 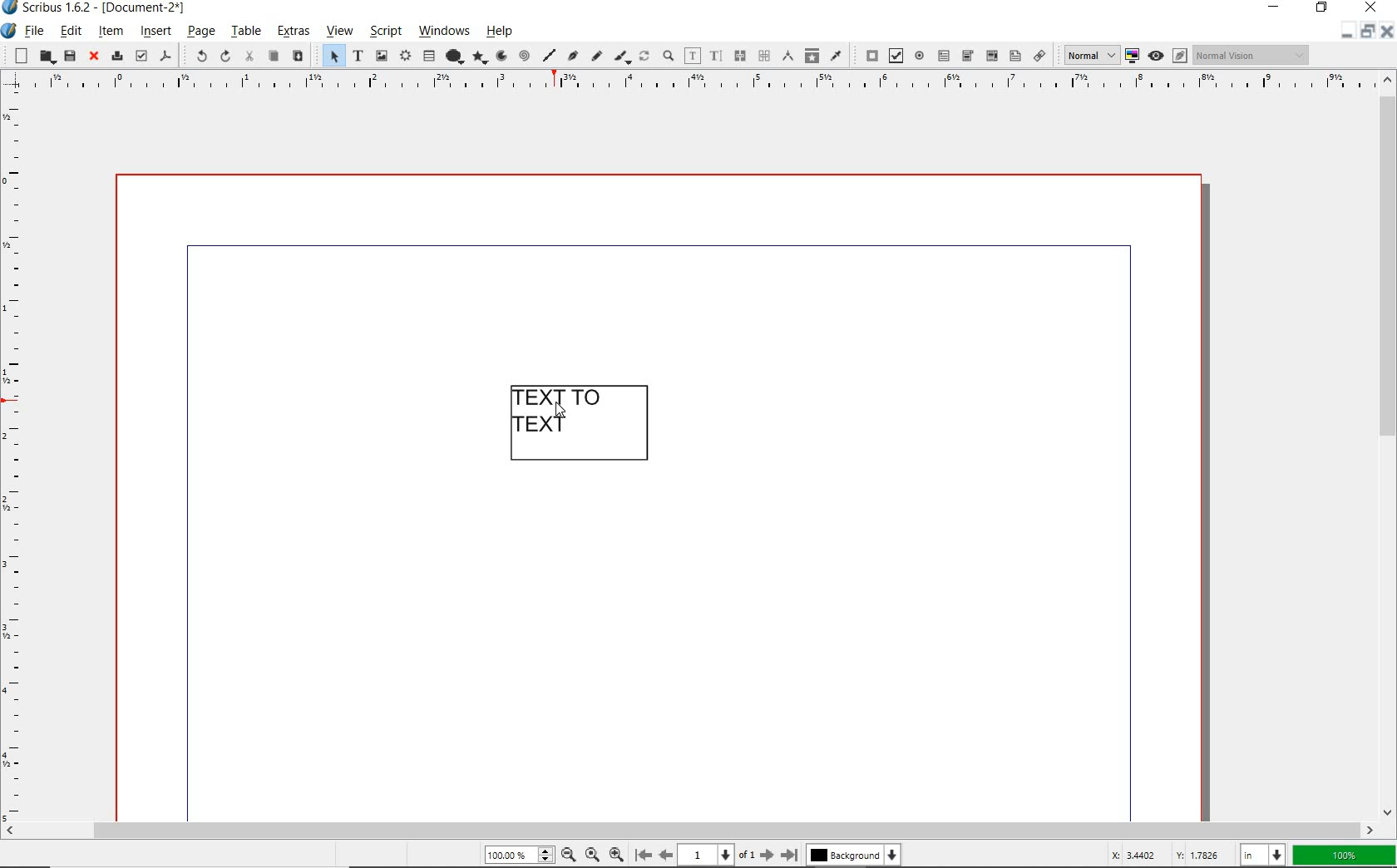 What do you see at coordinates (1345, 34) in the screenshot?
I see `minimize` at bounding box center [1345, 34].